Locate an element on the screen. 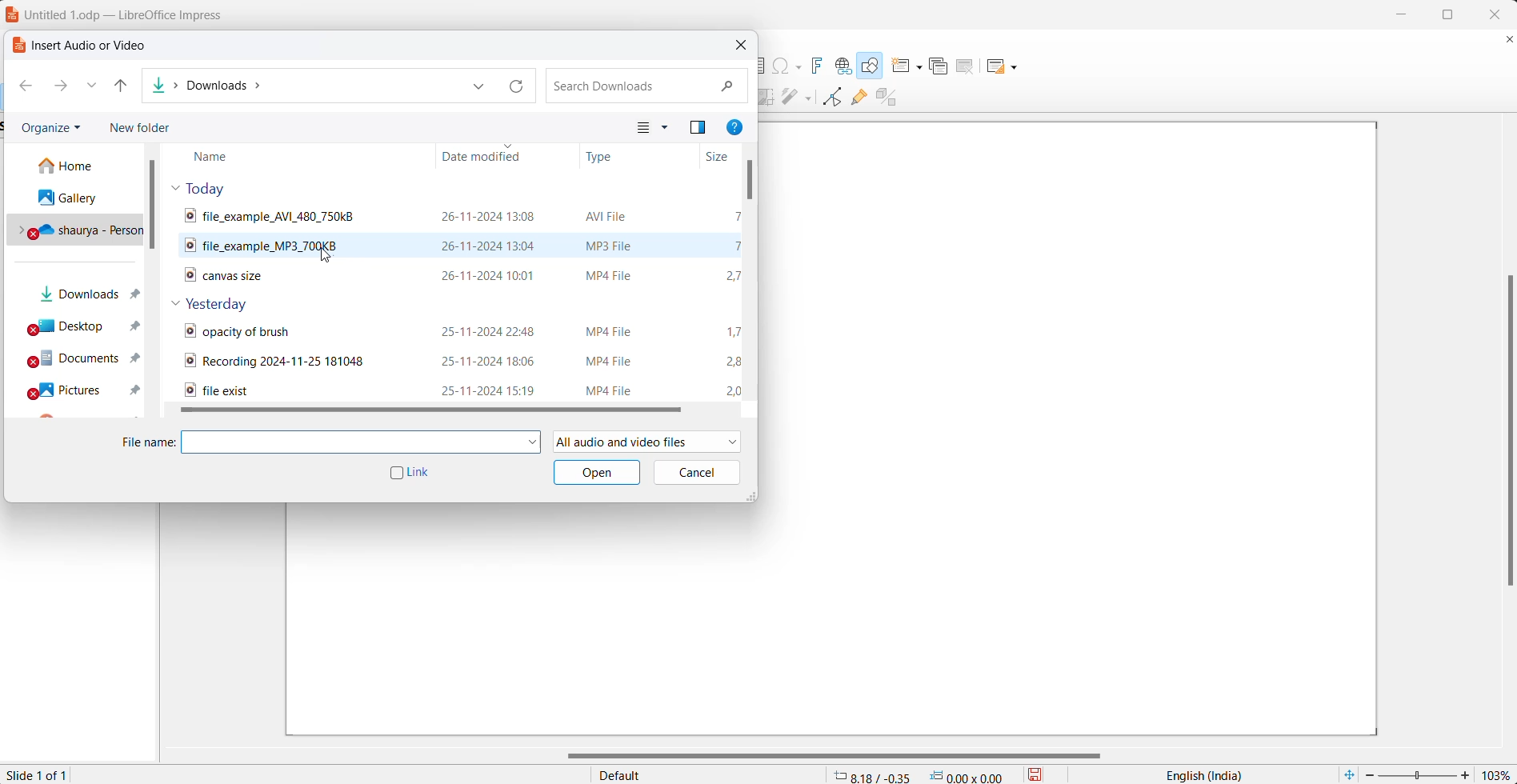 Image resolution: width=1517 pixels, height=784 pixels. video file modification date is located at coordinates (487, 216).